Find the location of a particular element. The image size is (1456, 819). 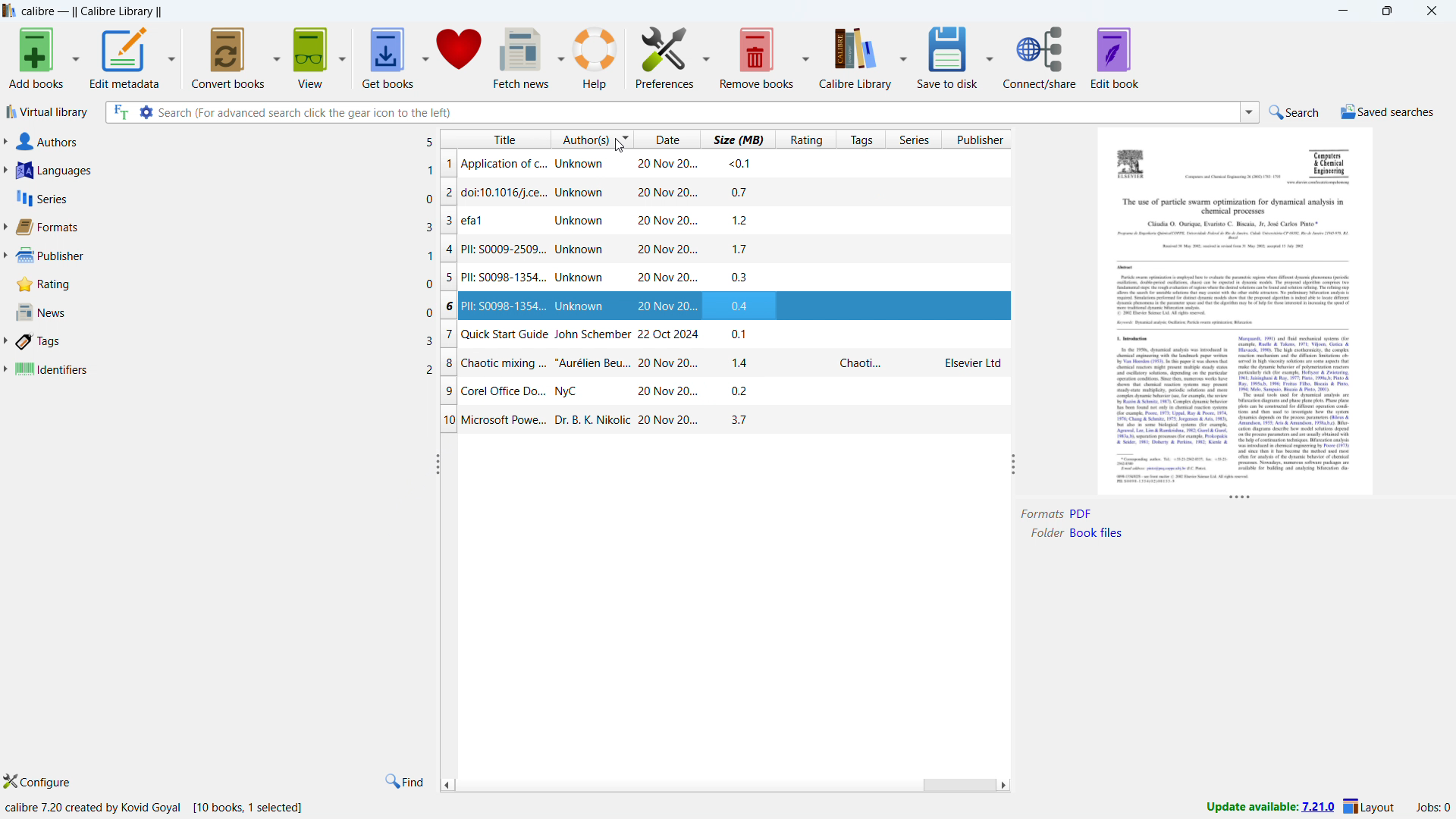

4 is located at coordinates (447, 246).